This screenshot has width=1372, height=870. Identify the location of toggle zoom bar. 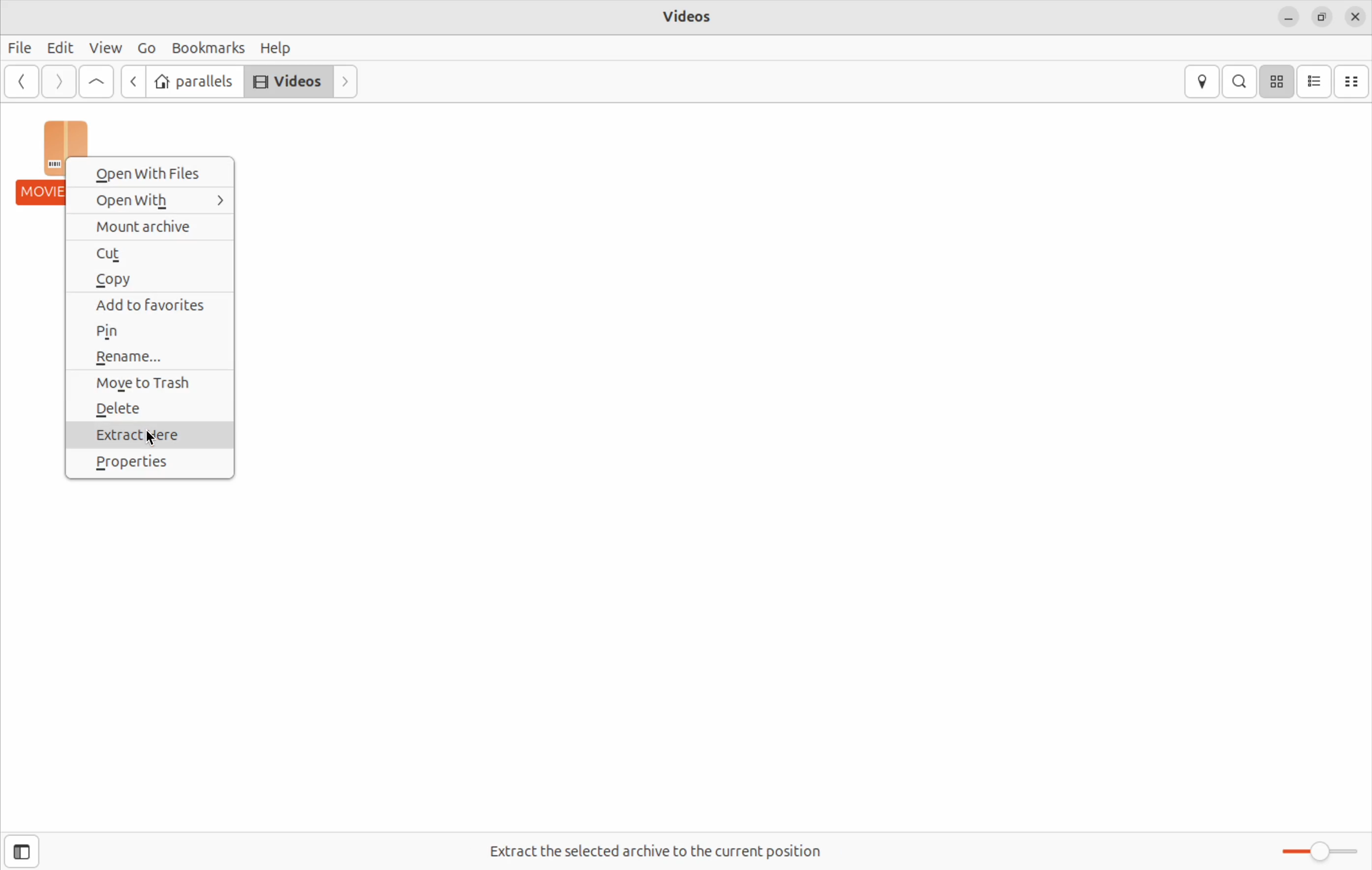
(1309, 848).